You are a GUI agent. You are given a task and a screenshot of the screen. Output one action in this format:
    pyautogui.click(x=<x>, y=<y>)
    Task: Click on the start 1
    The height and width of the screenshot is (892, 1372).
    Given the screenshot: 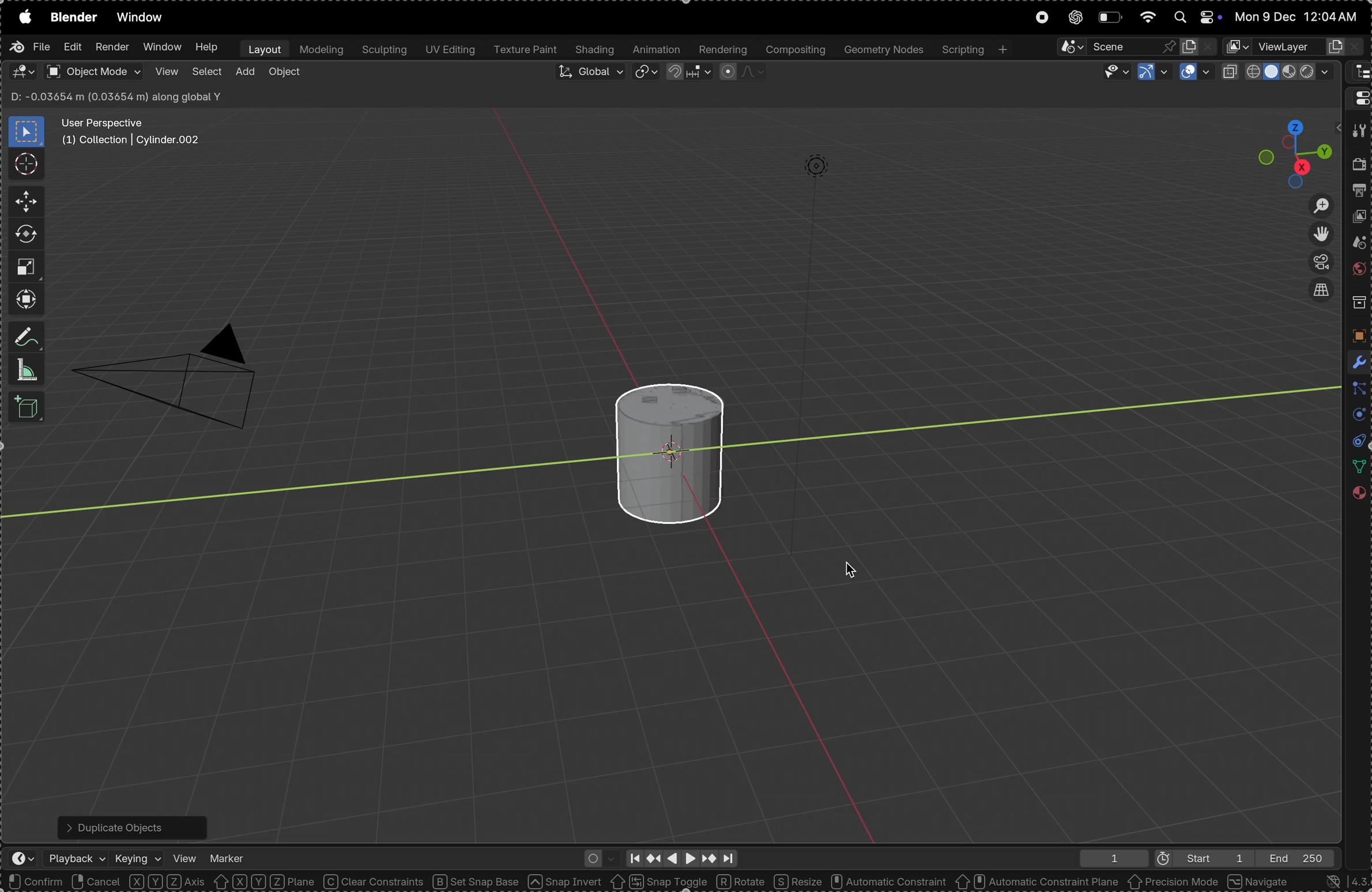 What is the action you would take?
    pyautogui.click(x=1197, y=857)
    